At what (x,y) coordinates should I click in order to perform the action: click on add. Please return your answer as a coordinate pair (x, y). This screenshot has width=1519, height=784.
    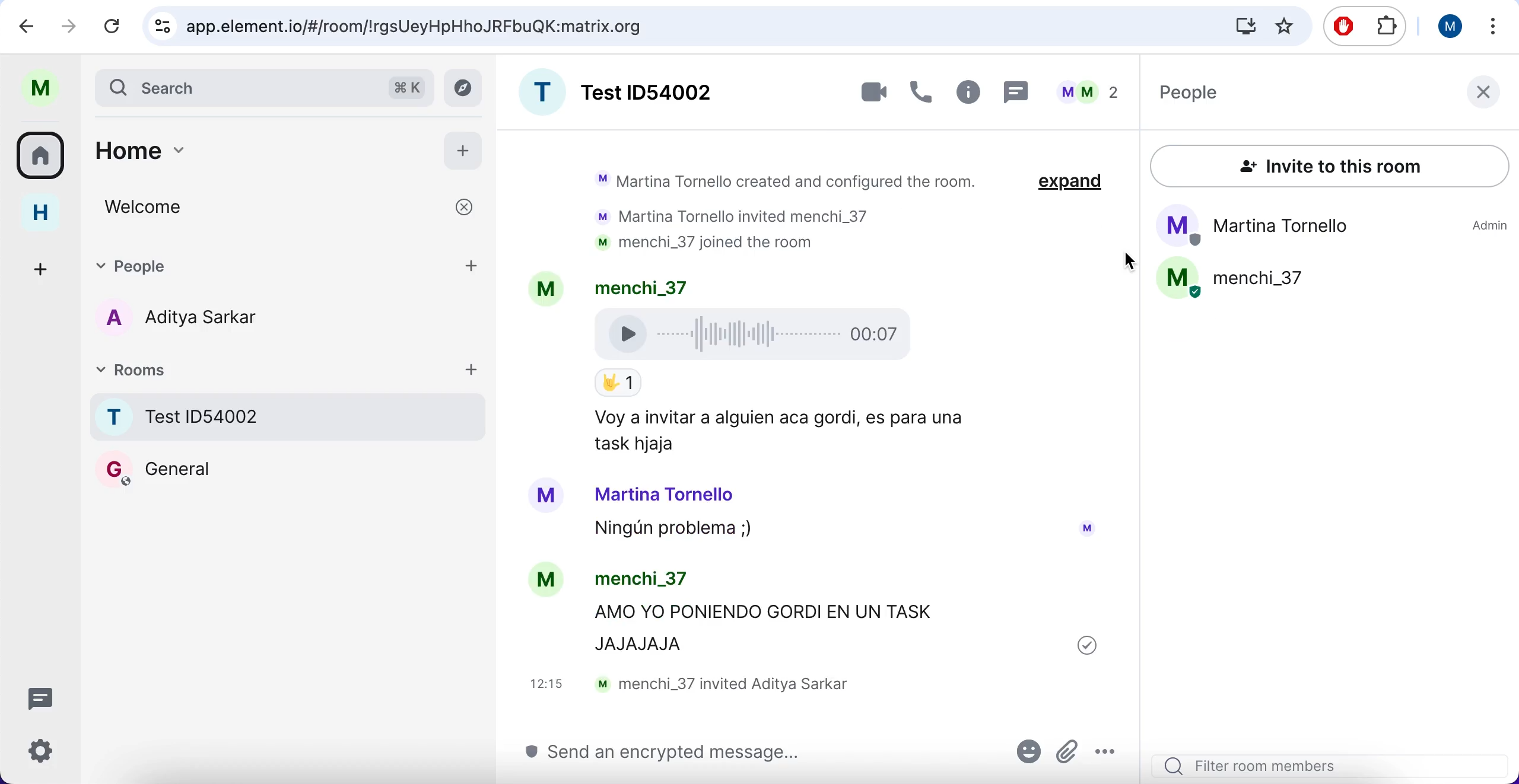
    Looking at the image, I should click on (474, 366).